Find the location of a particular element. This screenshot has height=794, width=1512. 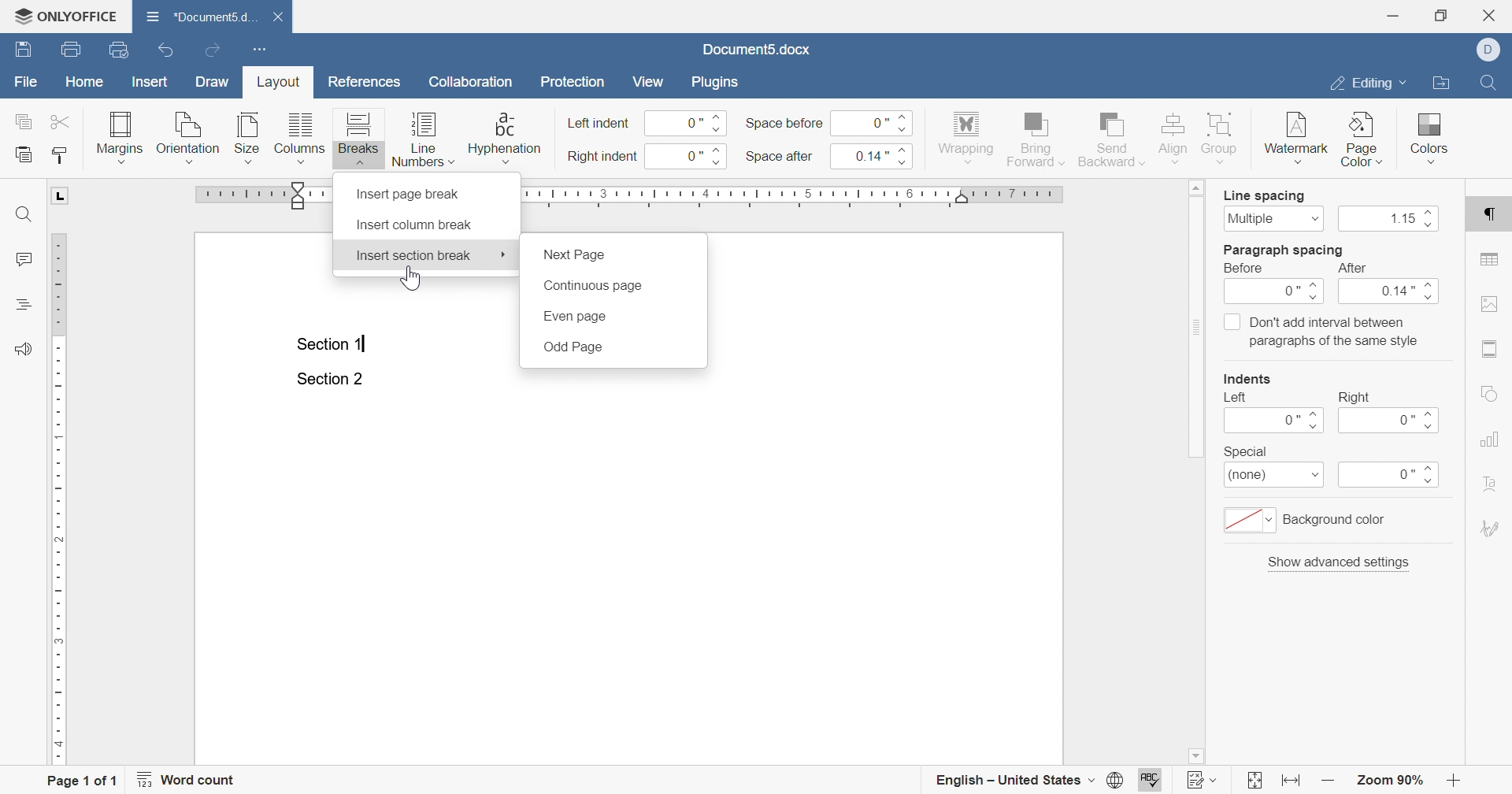

shape settings is located at coordinates (1488, 393).